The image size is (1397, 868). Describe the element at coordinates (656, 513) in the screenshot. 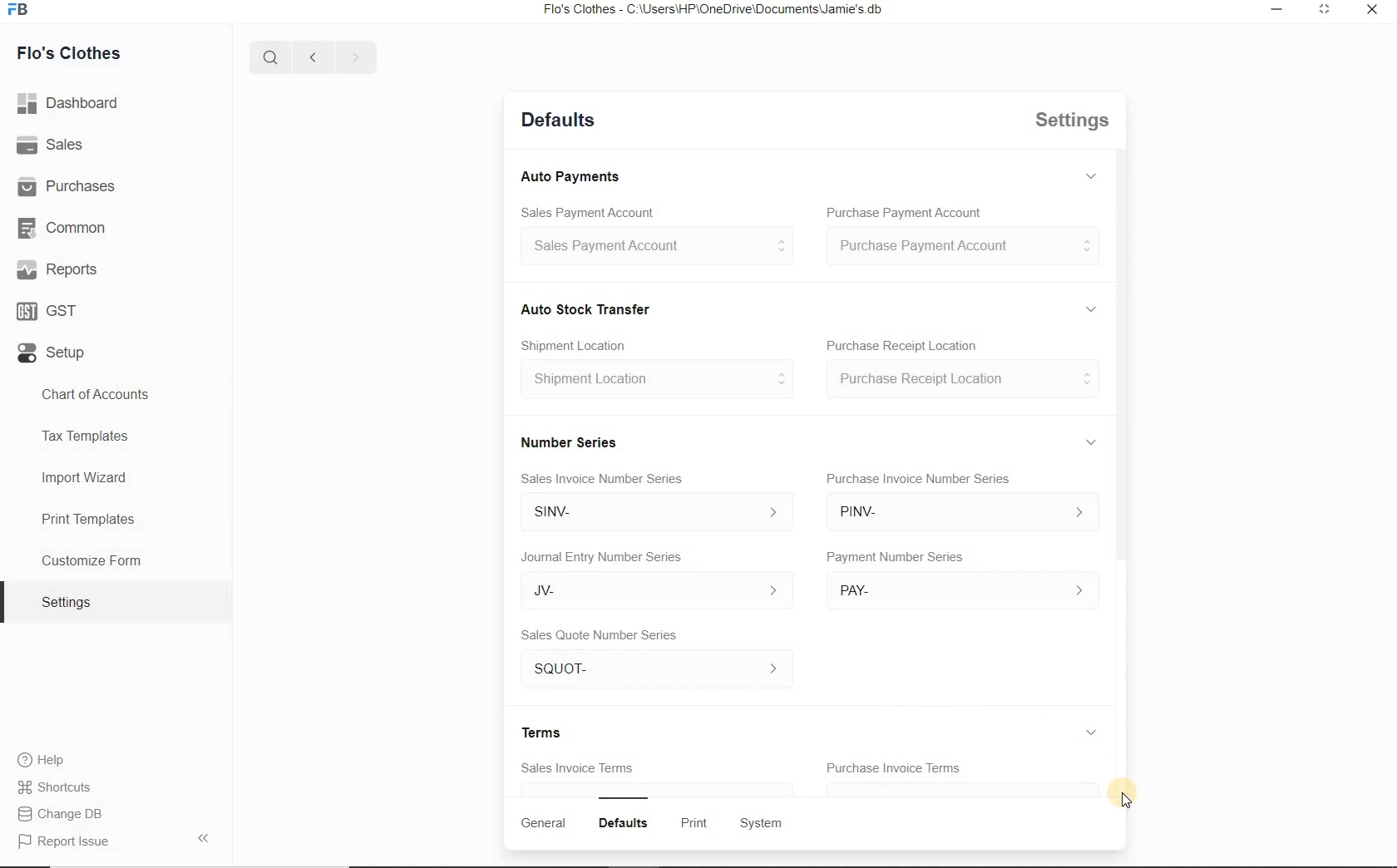

I see `SINV- >` at that location.